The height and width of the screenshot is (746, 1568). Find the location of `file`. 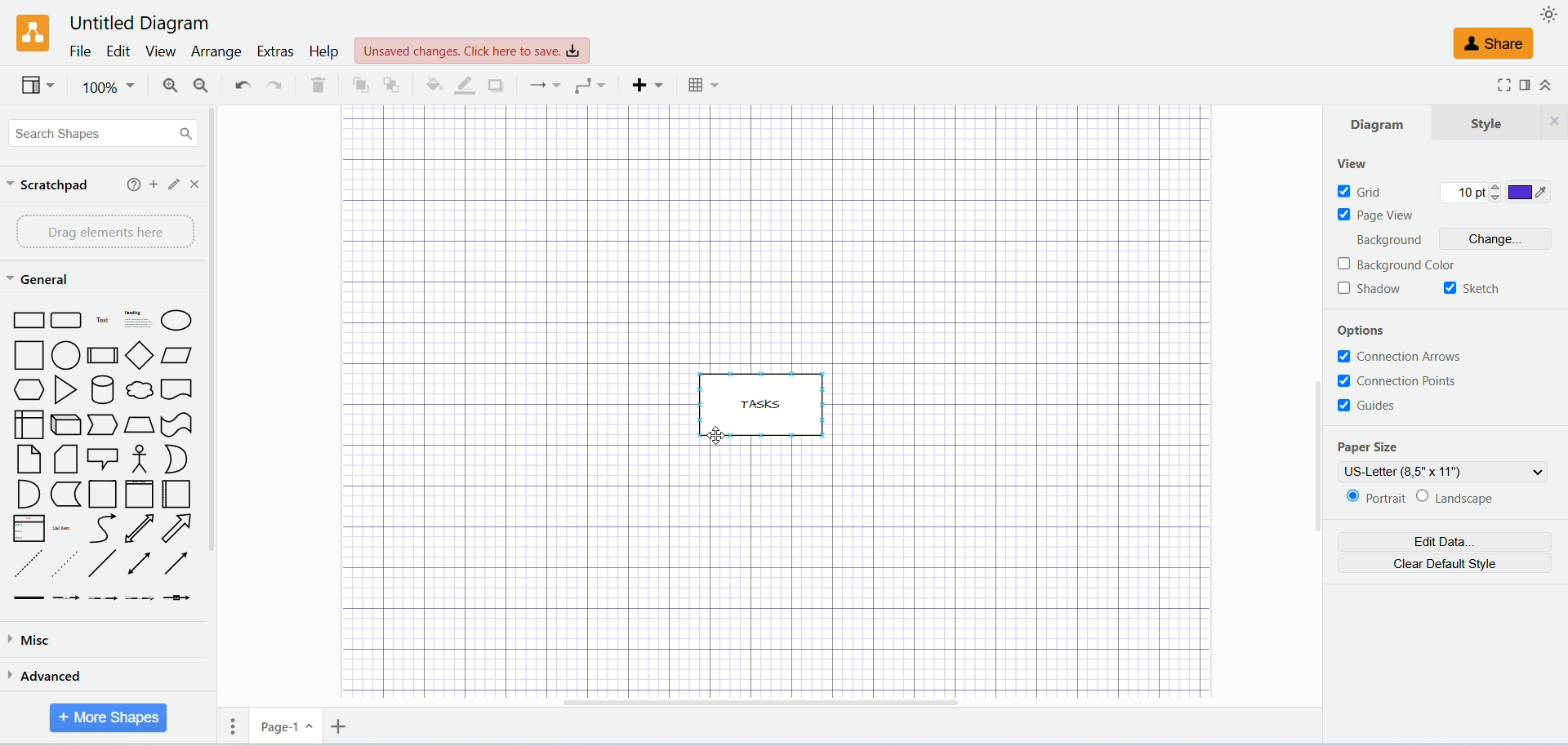

file is located at coordinates (78, 51).